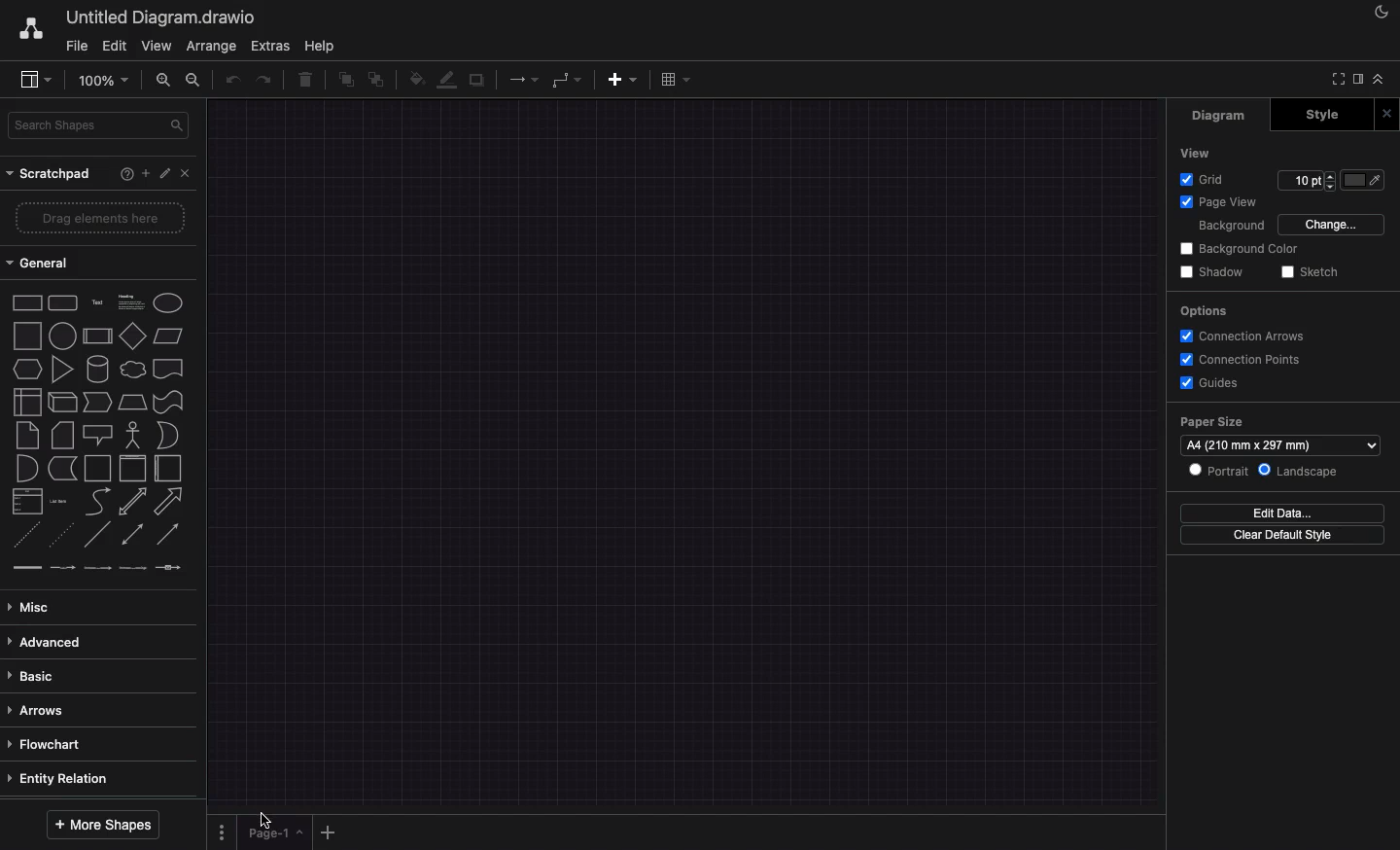 This screenshot has height=850, width=1400. I want to click on undo, so click(231, 79).